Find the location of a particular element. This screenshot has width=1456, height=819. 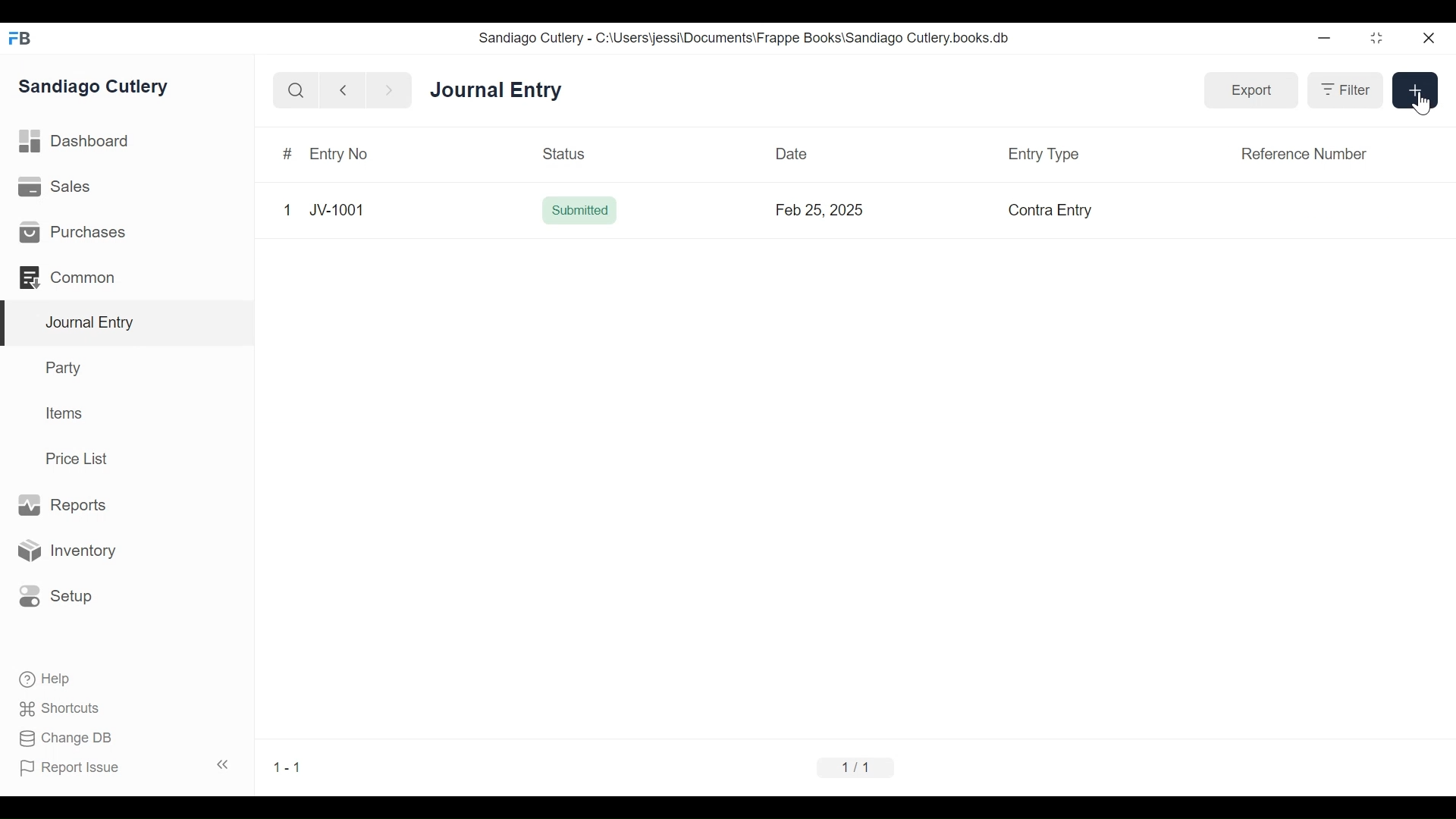

1 is located at coordinates (287, 210).